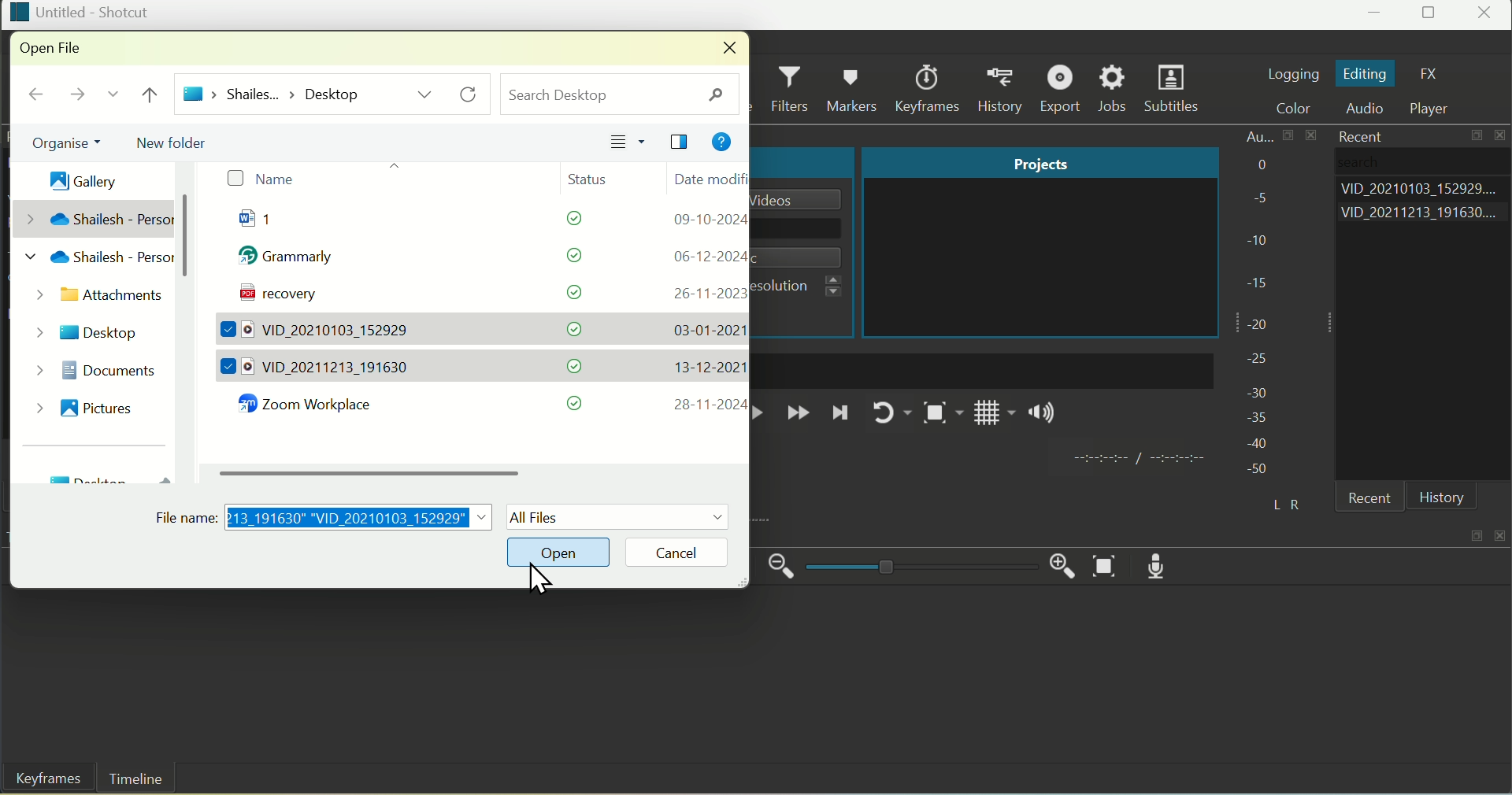 The image size is (1512, 795). I want to click on Audio bar, so click(1259, 303).